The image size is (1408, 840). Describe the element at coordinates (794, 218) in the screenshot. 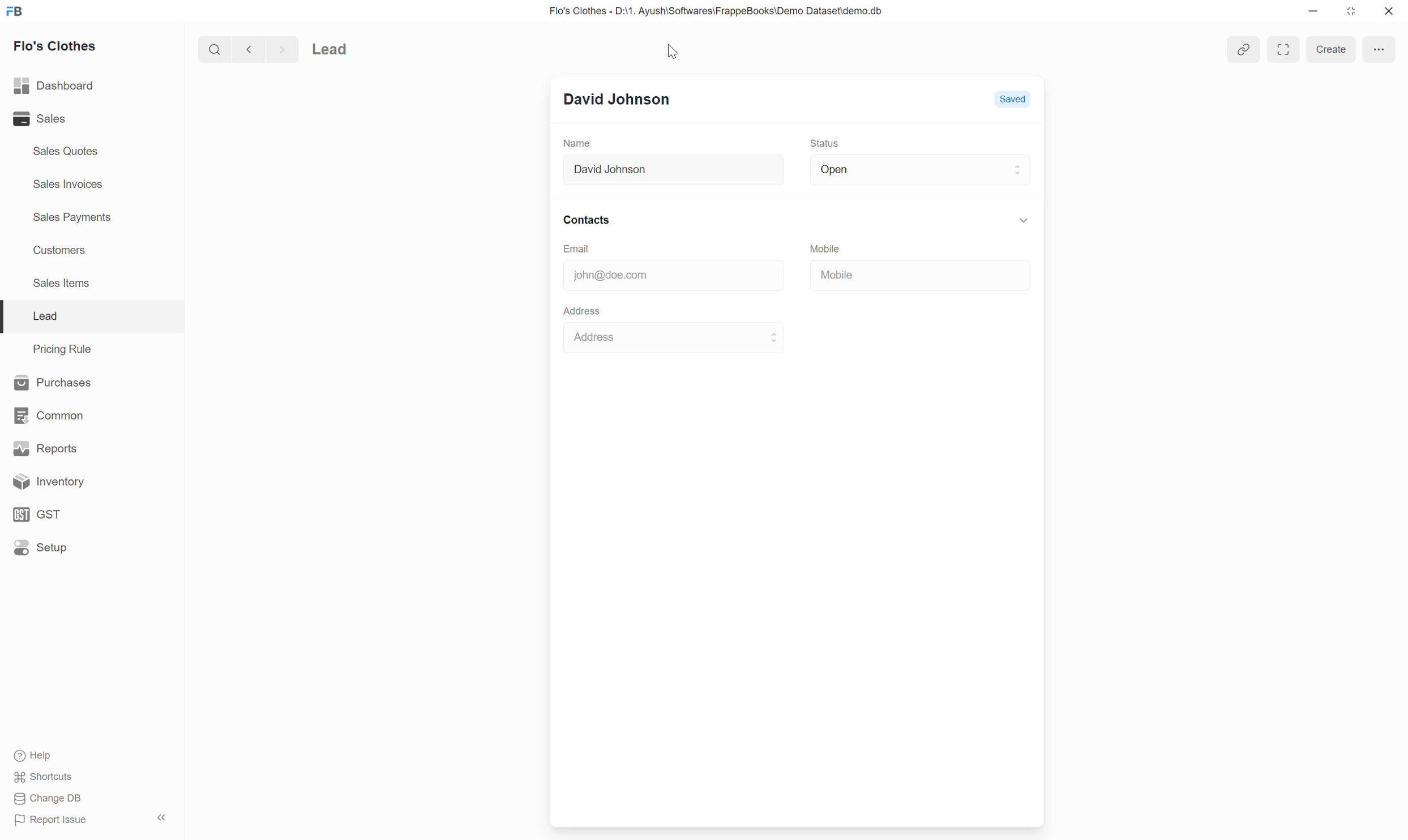

I see `Contacts` at that location.